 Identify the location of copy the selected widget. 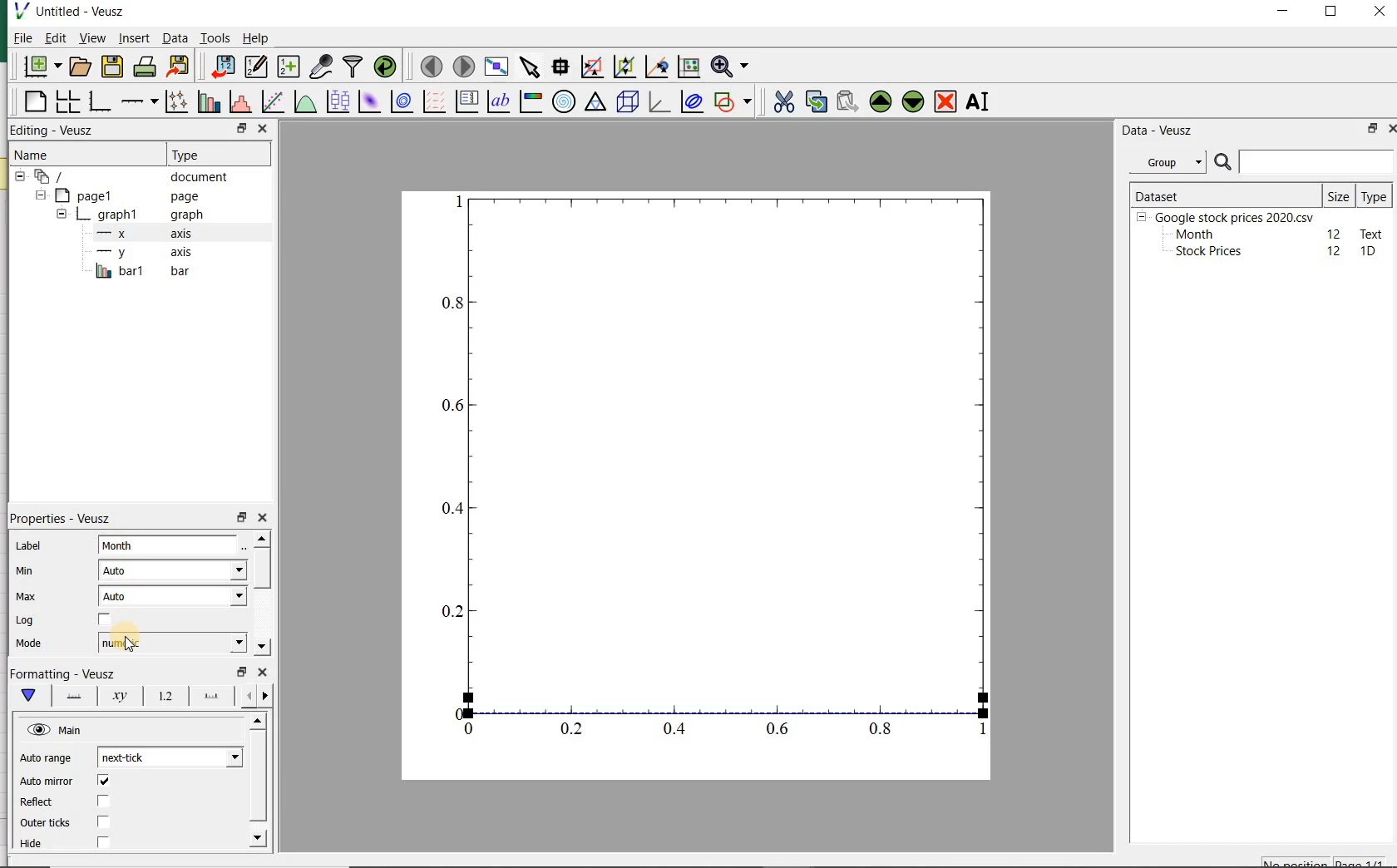
(815, 102).